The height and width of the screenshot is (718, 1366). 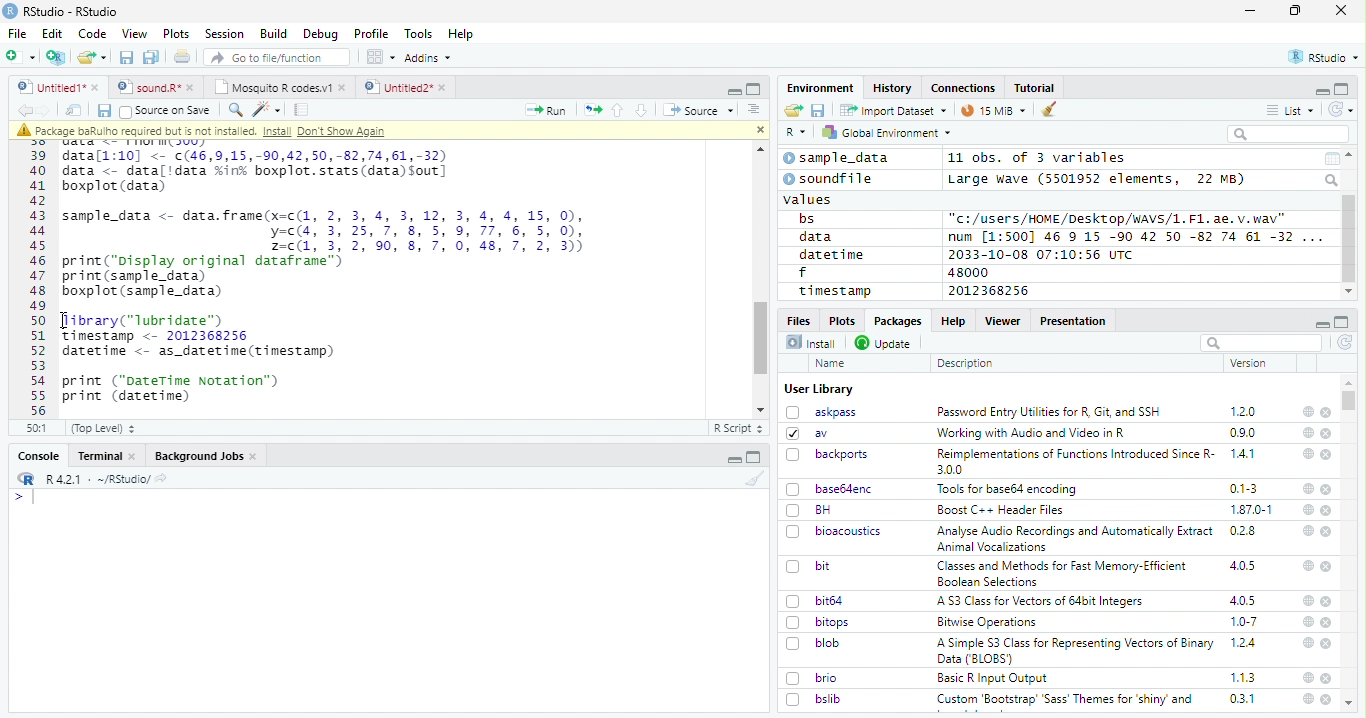 What do you see at coordinates (1245, 642) in the screenshot?
I see `1.2.4` at bounding box center [1245, 642].